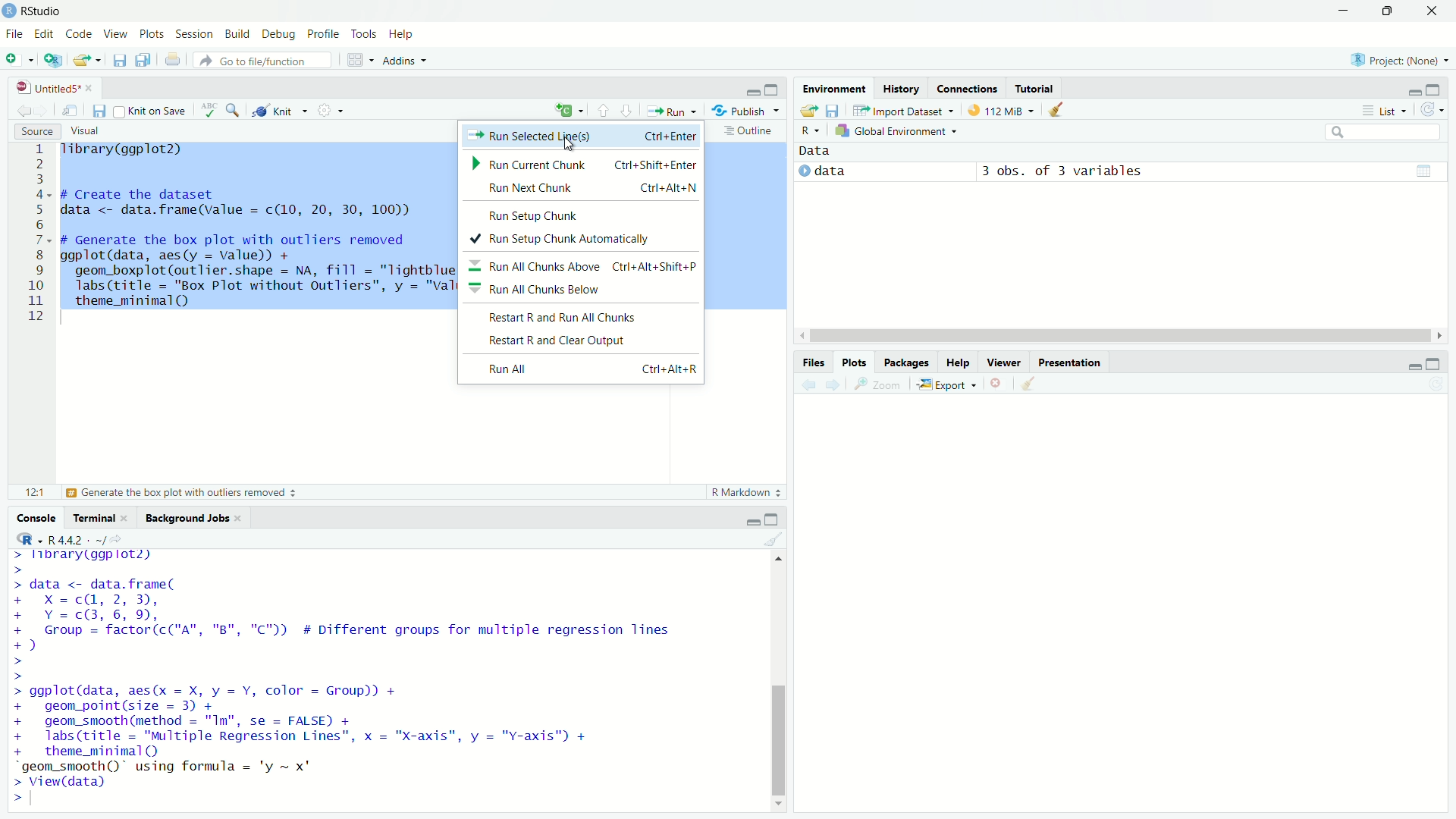  I want to click on © List, so click(1385, 110).